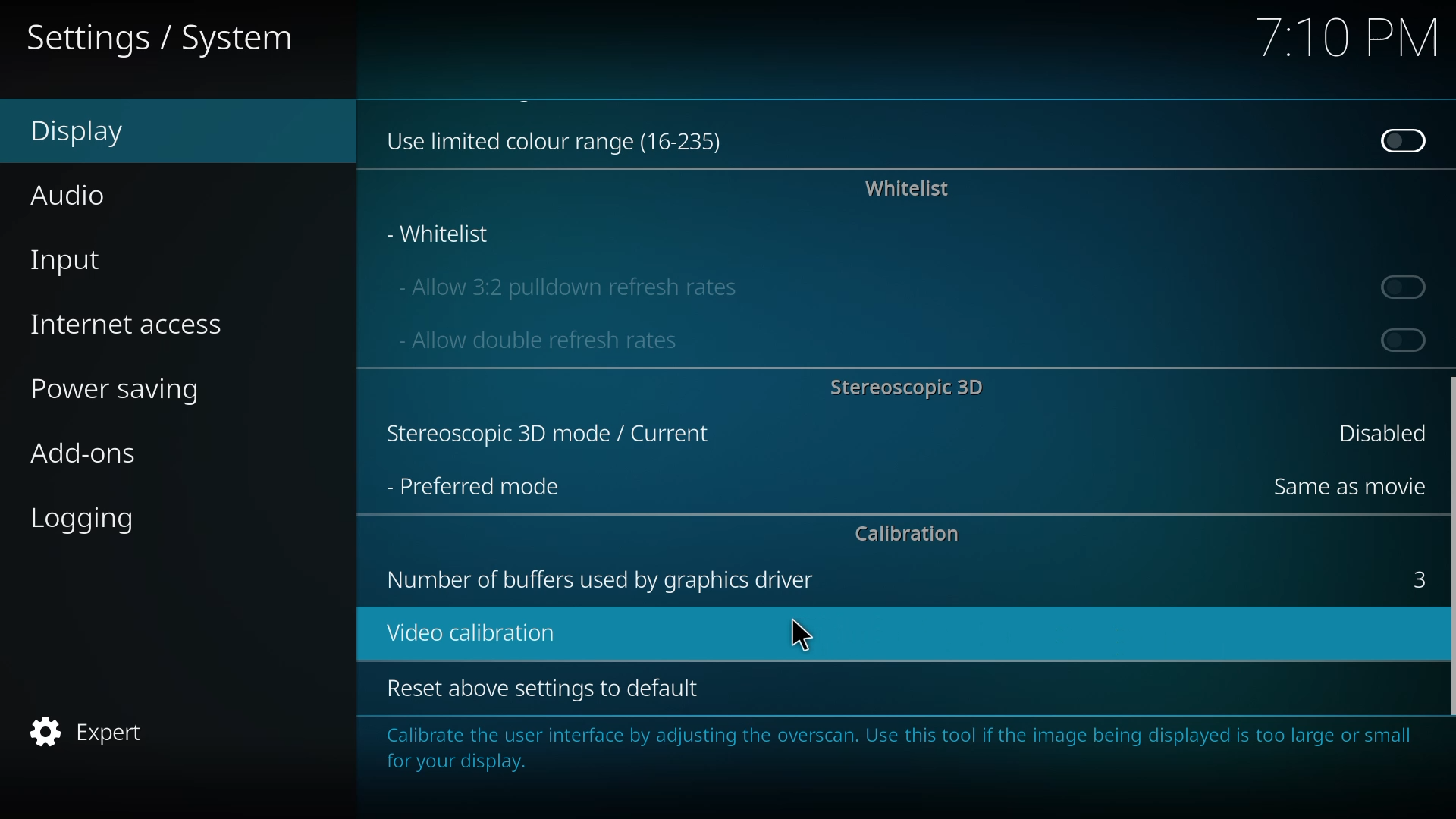 The width and height of the screenshot is (1456, 819). I want to click on enable, so click(1406, 286).